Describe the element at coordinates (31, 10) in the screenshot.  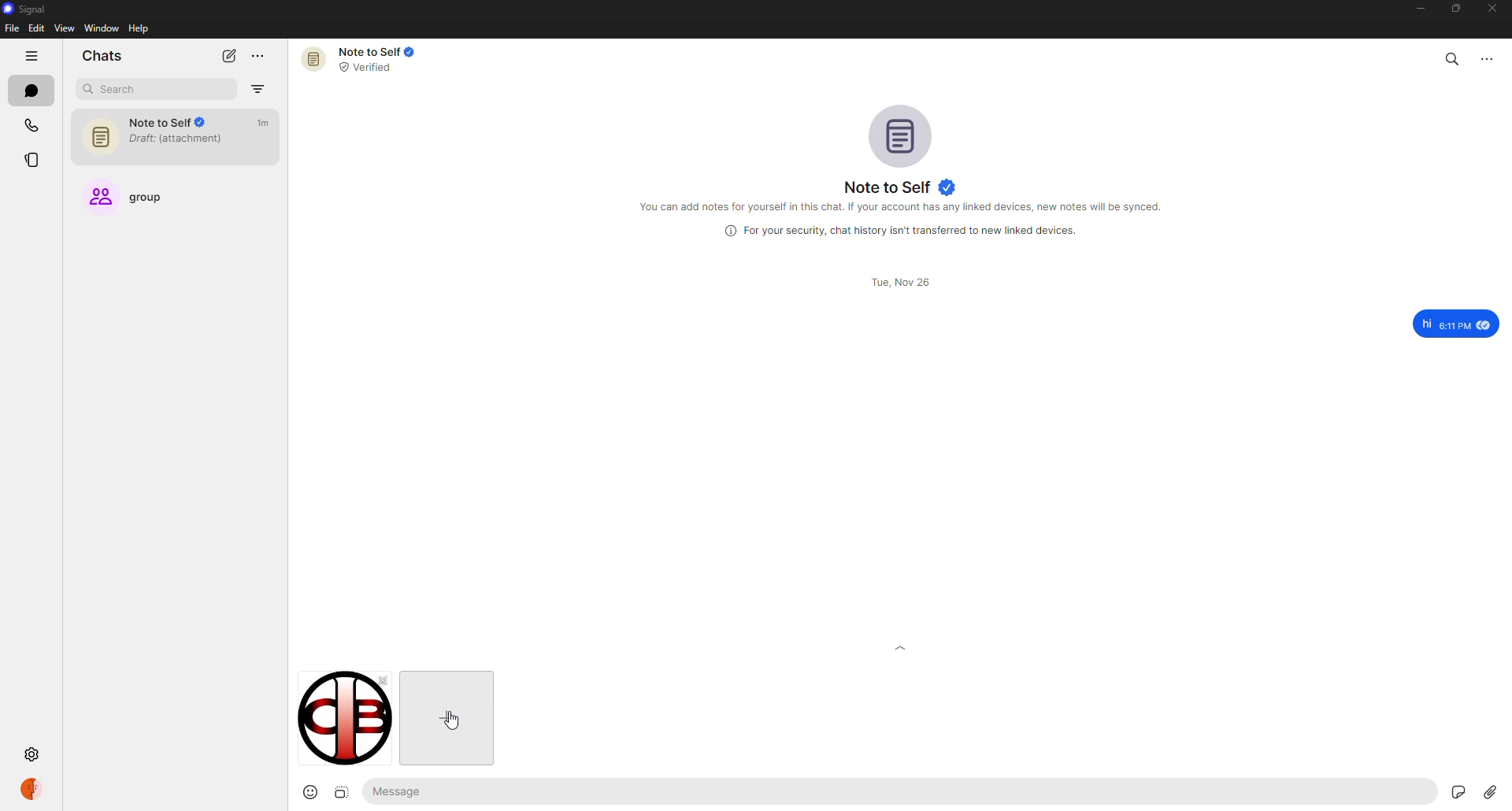
I see `signal` at that location.